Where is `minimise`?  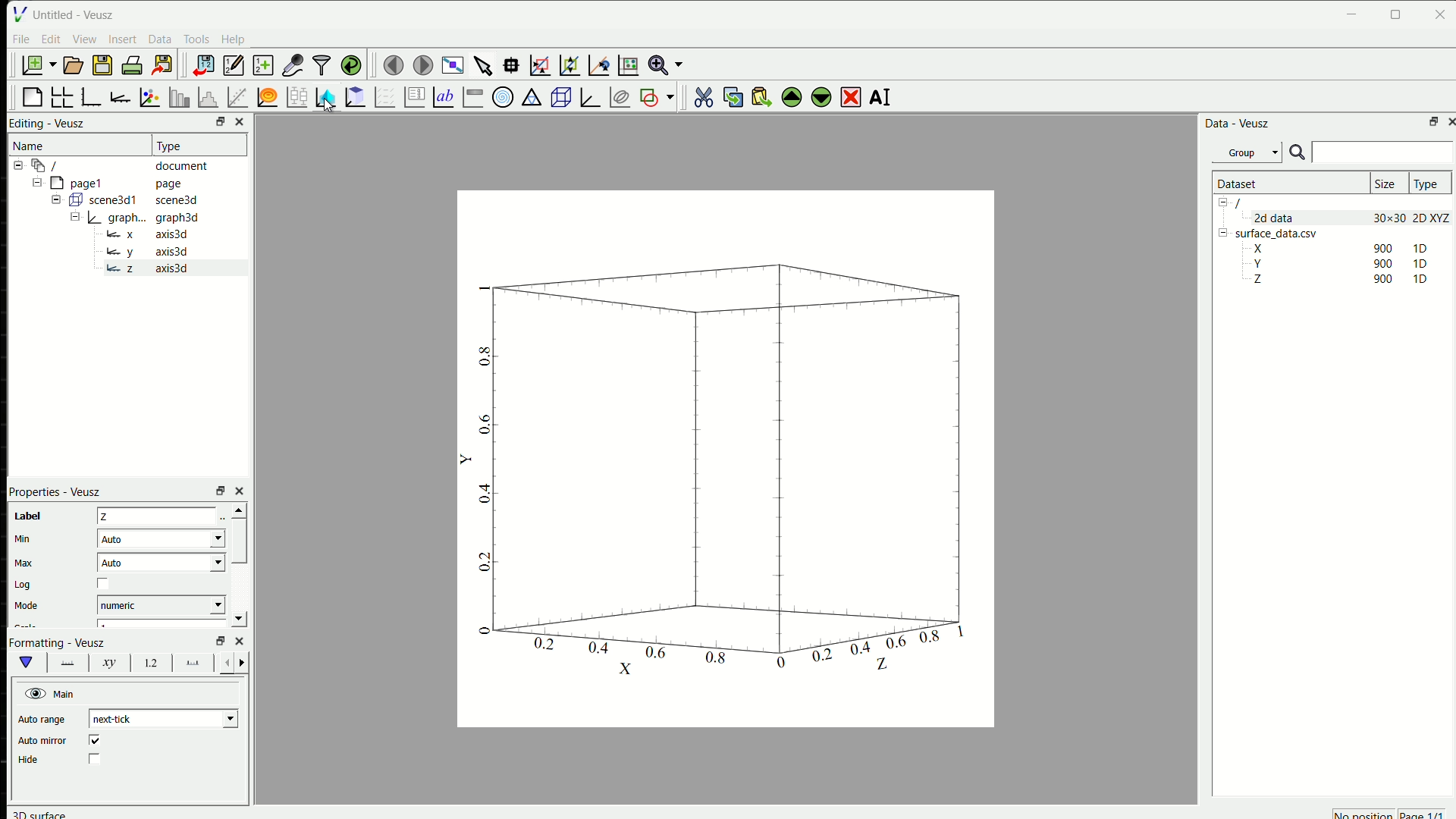
minimise is located at coordinates (1353, 13).